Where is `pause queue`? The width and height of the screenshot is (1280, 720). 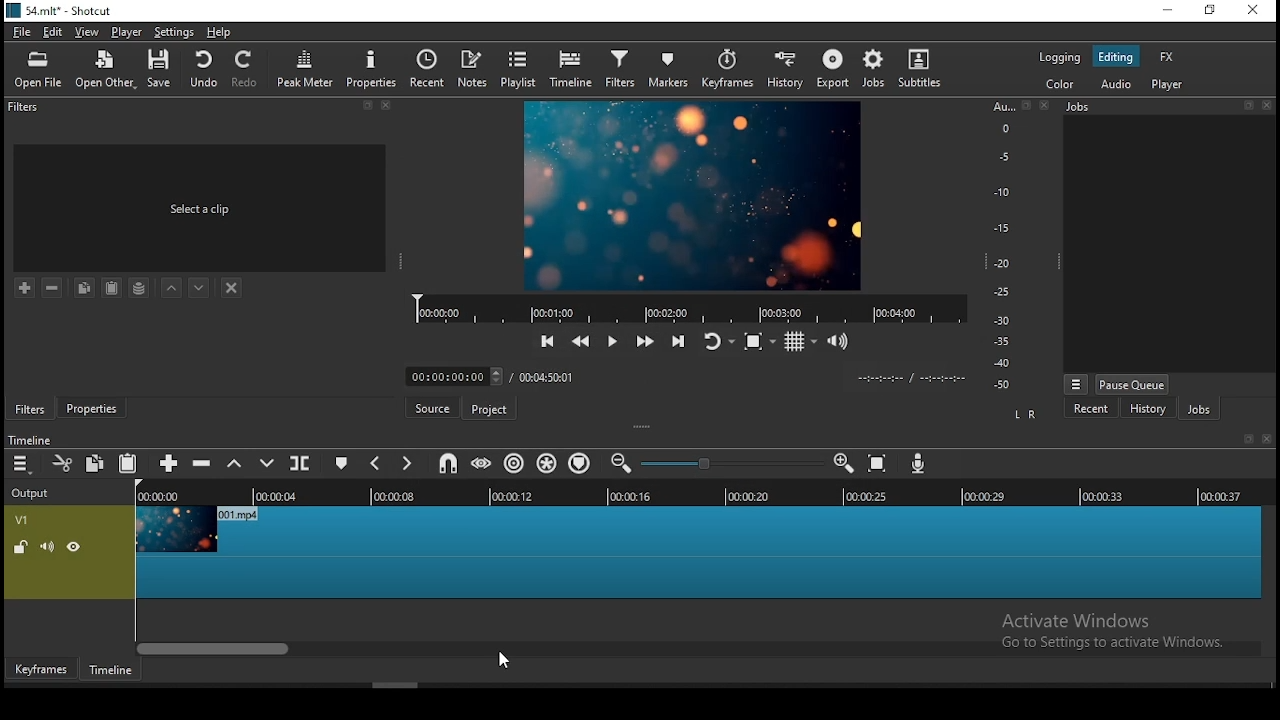
pause queue is located at coordinates (1132, 384).